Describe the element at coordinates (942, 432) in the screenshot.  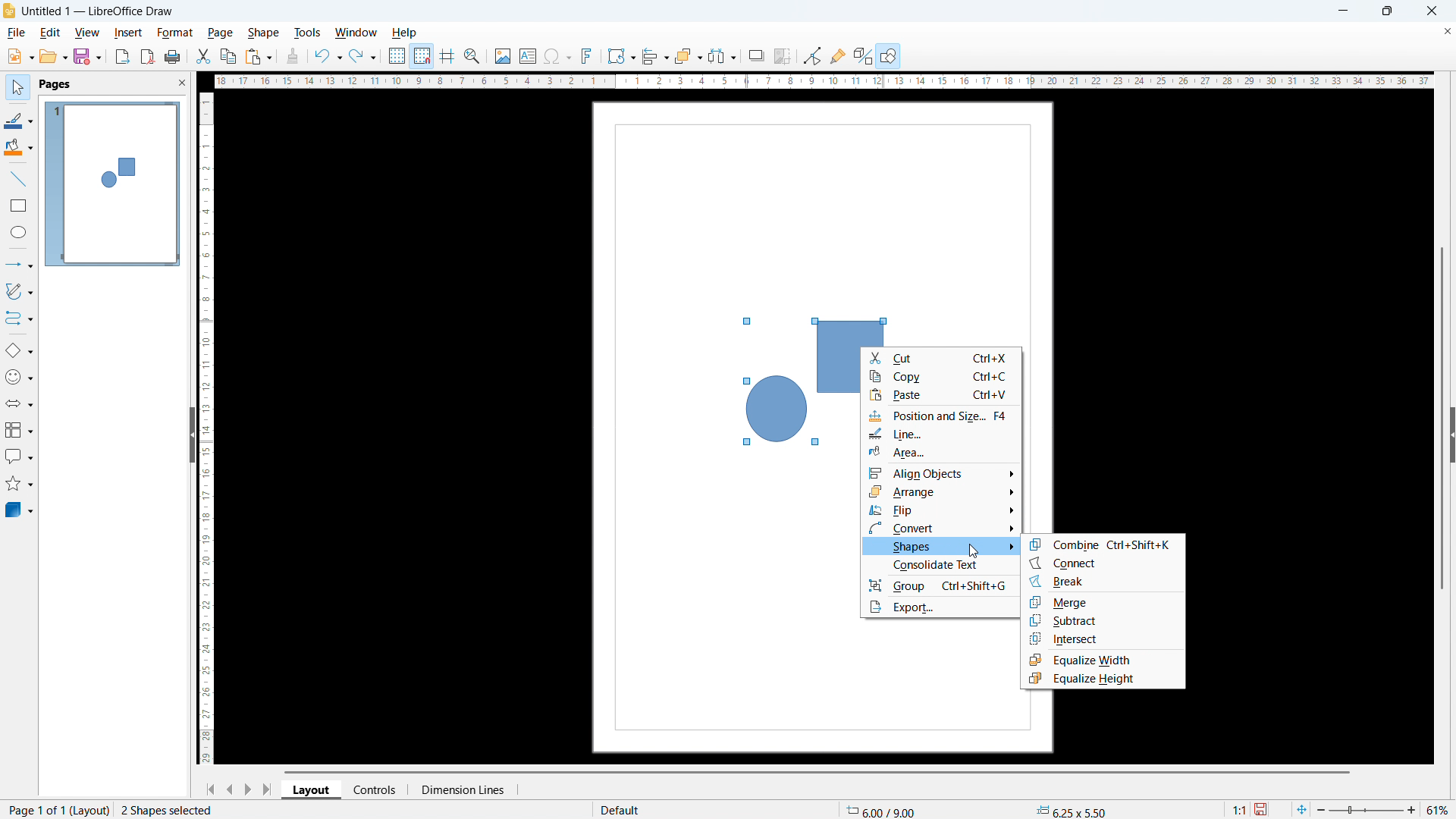
I see `line` at that location.